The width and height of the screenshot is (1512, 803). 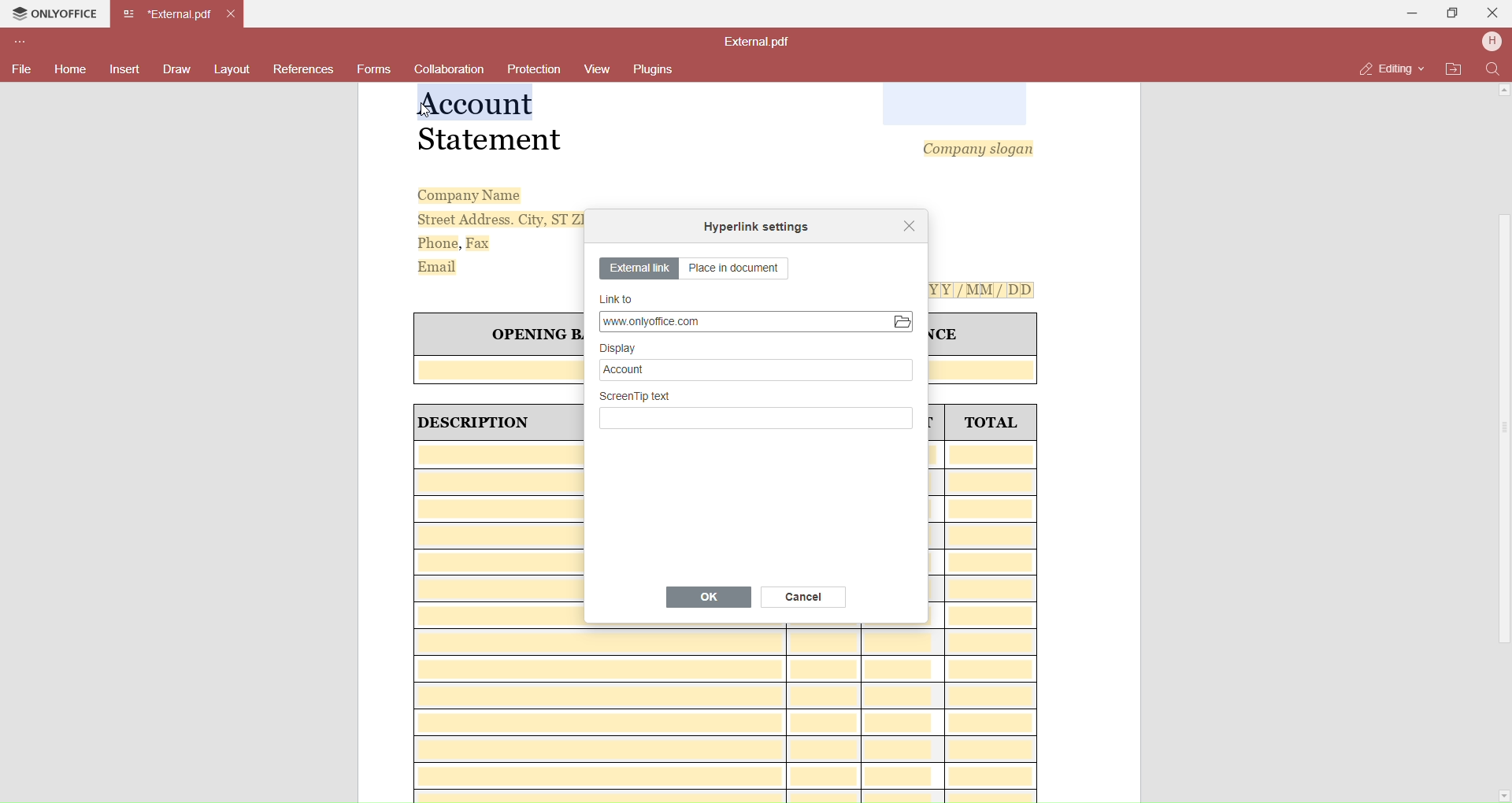 I want to click on Protection, so click(x=535, y=72).